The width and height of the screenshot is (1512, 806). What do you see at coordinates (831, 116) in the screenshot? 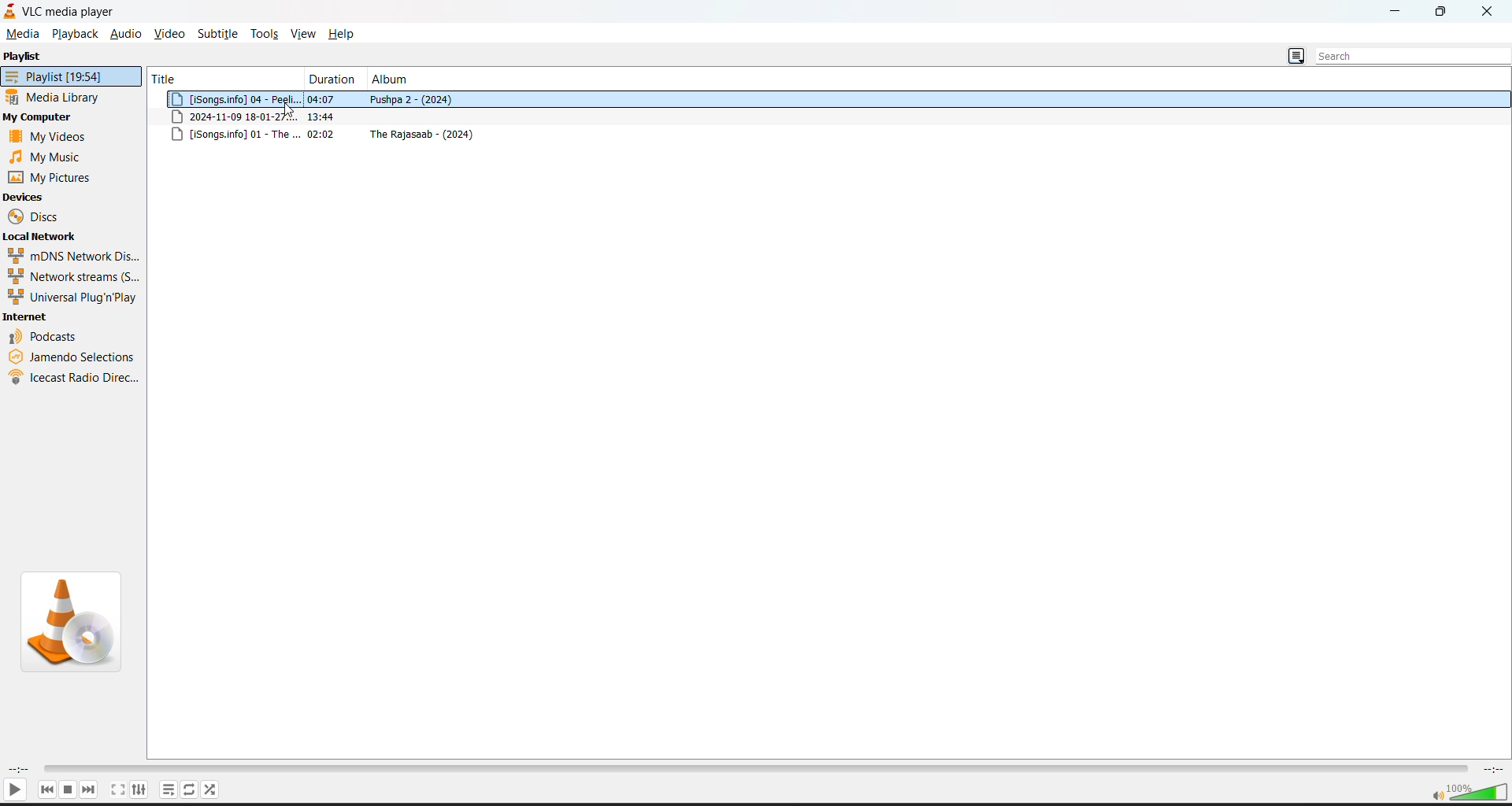
I see `metadata` at bounding box center [831, 116].